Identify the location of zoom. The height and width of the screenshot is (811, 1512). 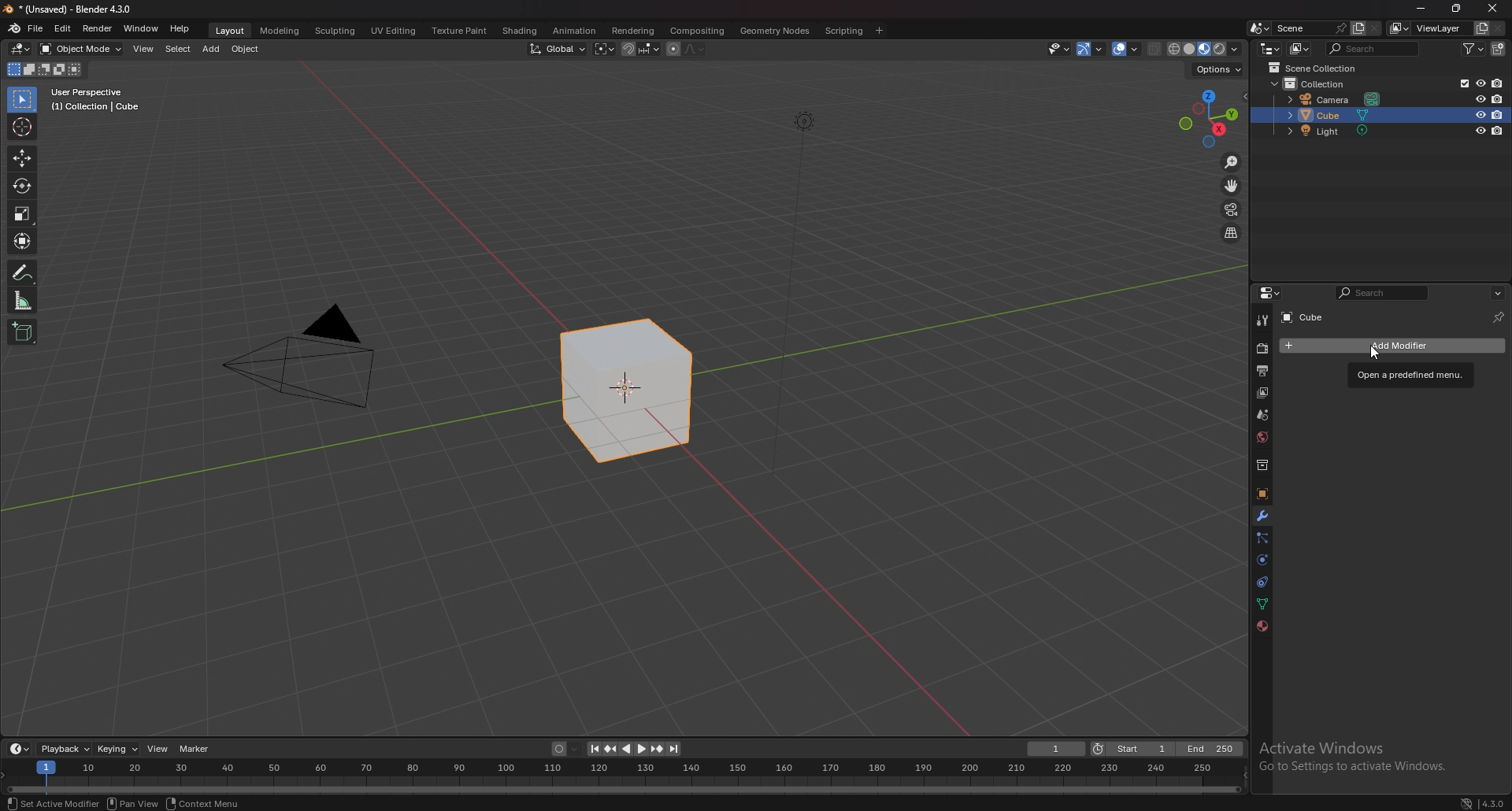
(1230, 162).